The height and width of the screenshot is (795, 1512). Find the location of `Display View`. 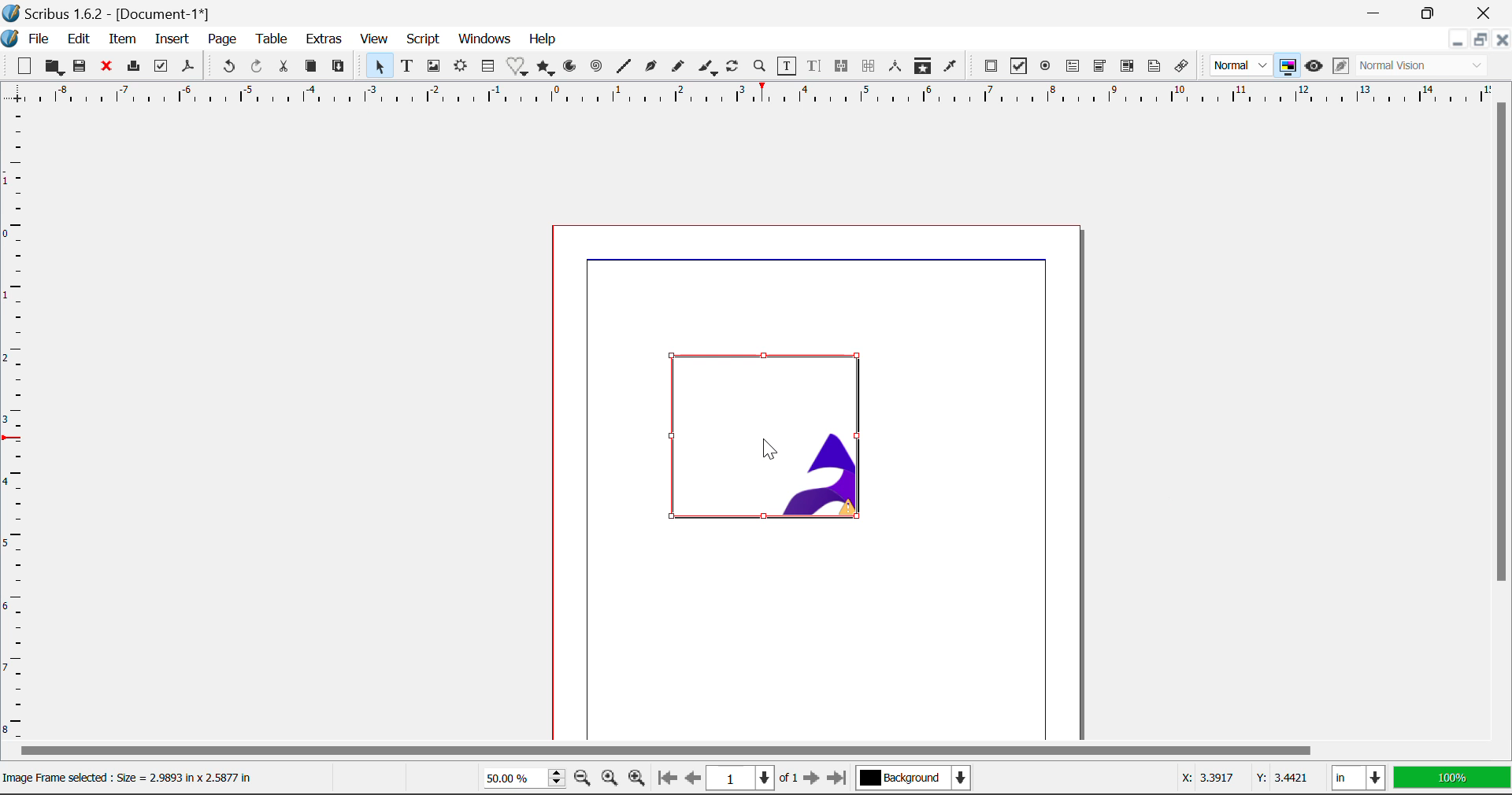

Display View is located at coordinates (1447, 777).